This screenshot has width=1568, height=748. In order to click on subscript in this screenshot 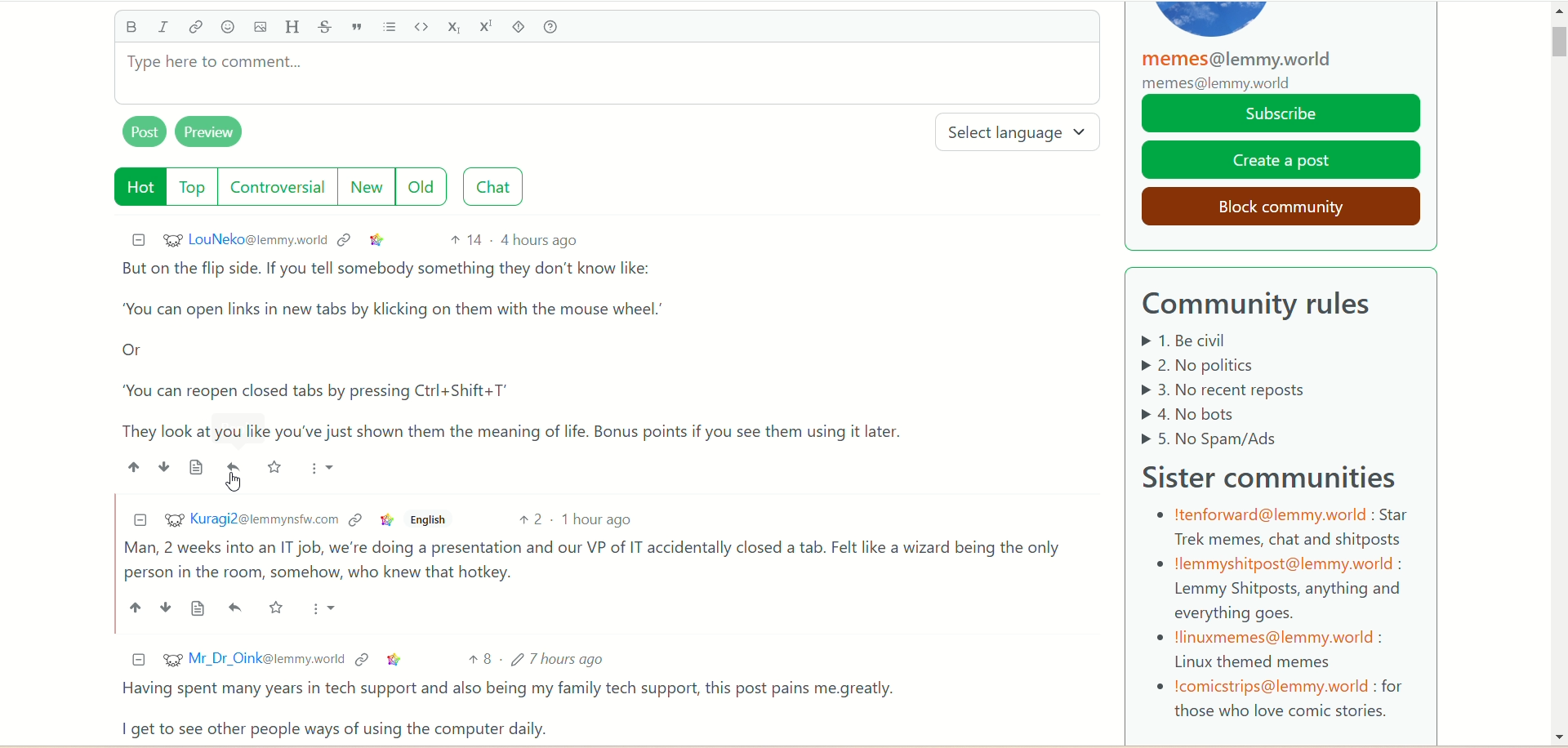, I will do `click(457, 29)`.